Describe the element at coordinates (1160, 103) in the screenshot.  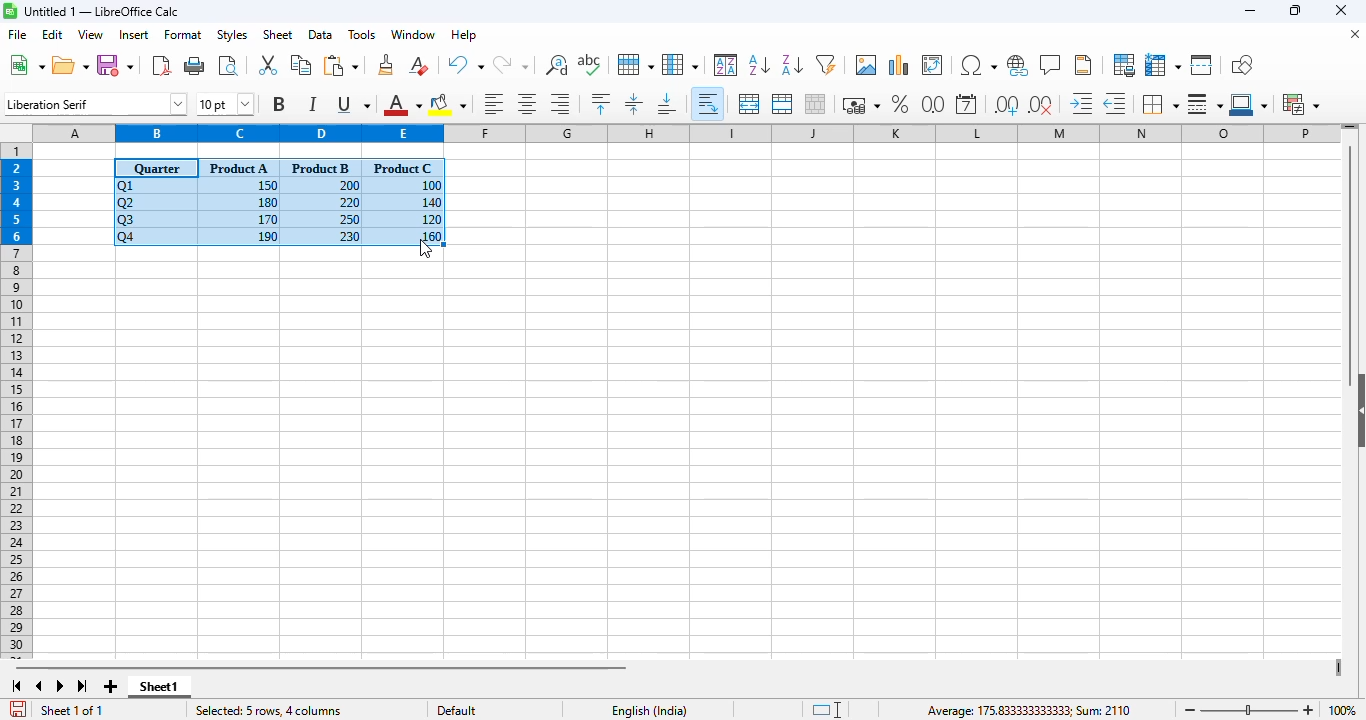
I see `borders` at that location.